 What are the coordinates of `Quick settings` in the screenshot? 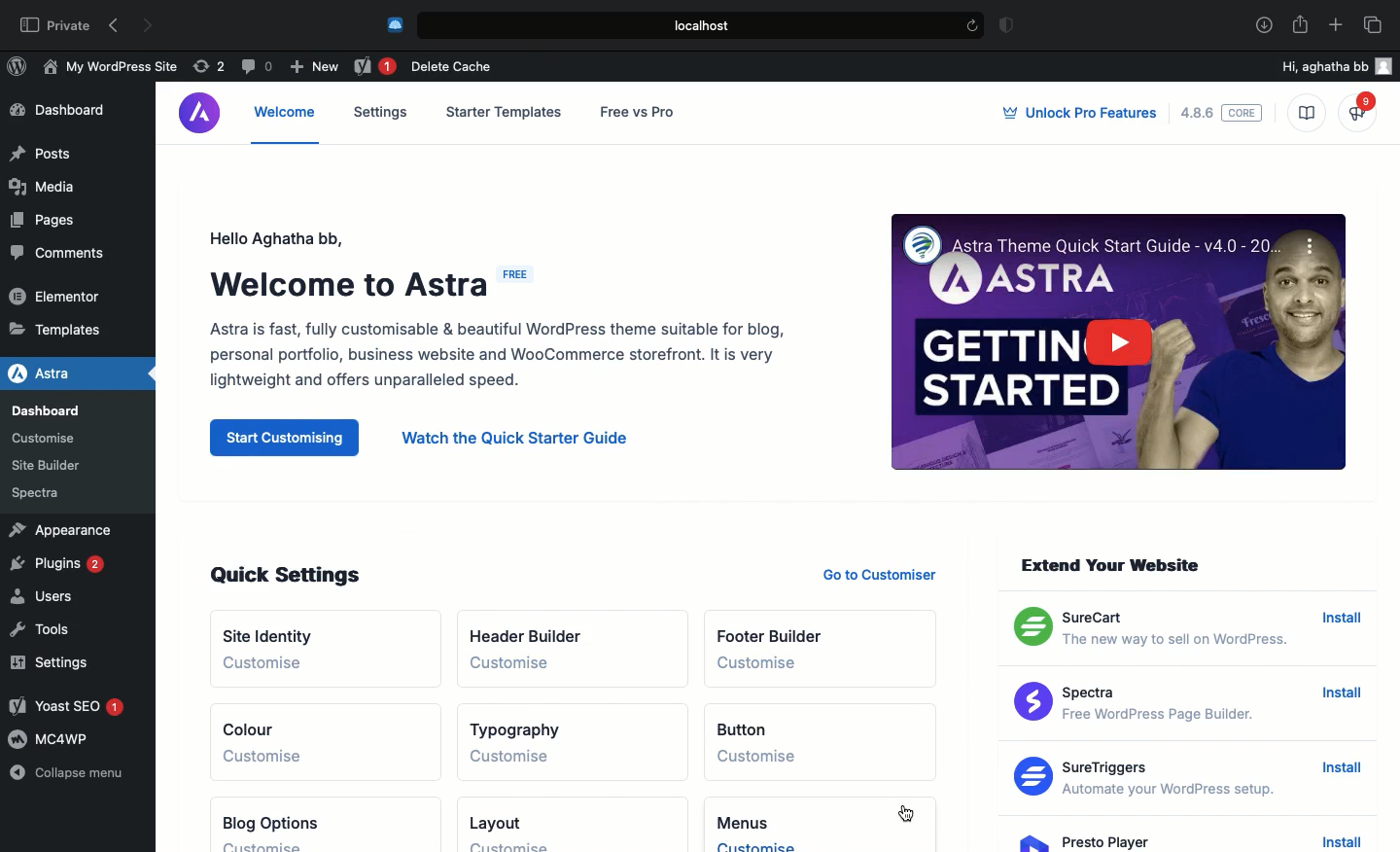 It's located at (289, 579).